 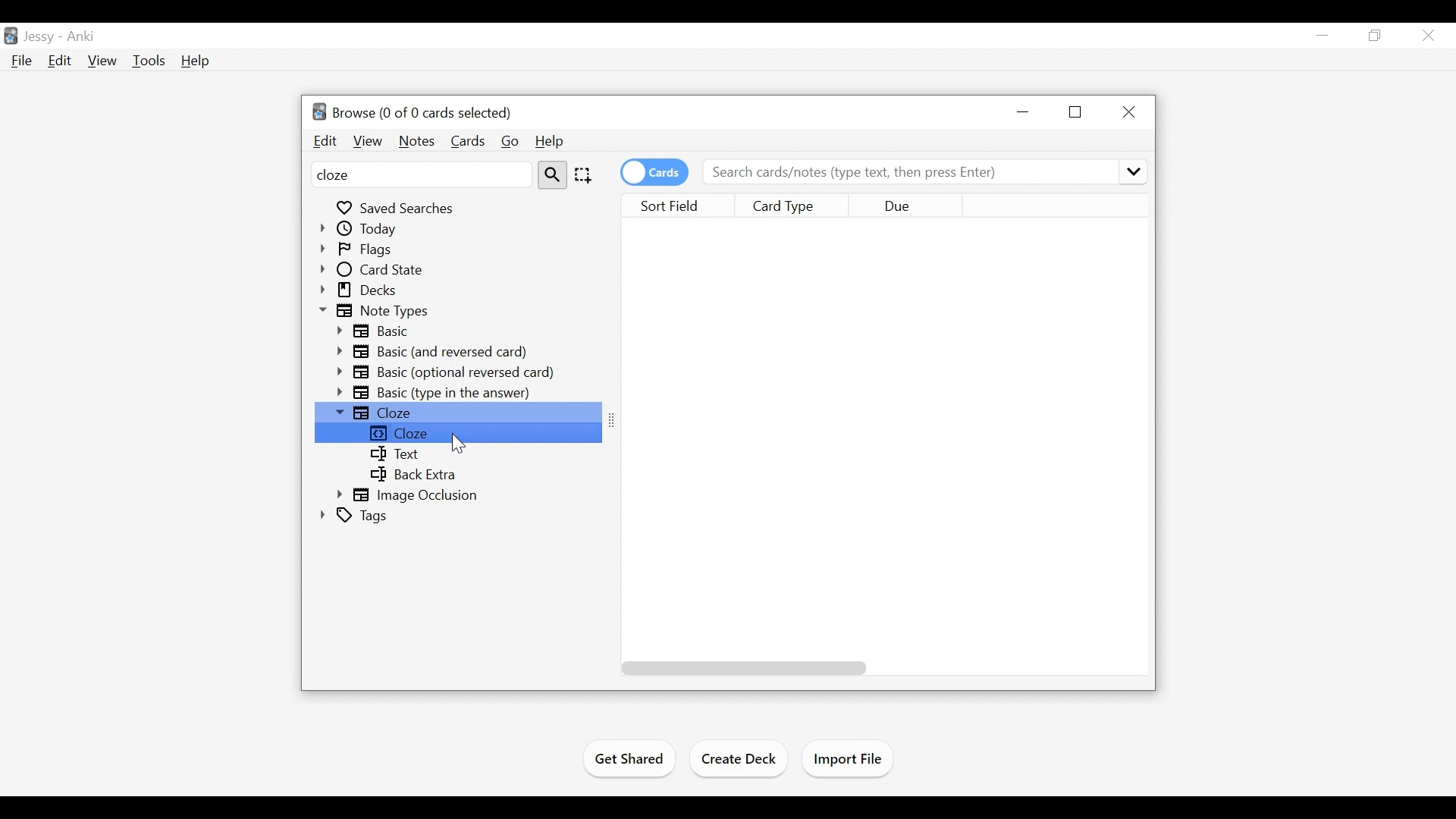 What do you see at coordinates (438, 392) in the screenshot?
I see `Basic (type in the answer)` at bounding box center [438, 392].